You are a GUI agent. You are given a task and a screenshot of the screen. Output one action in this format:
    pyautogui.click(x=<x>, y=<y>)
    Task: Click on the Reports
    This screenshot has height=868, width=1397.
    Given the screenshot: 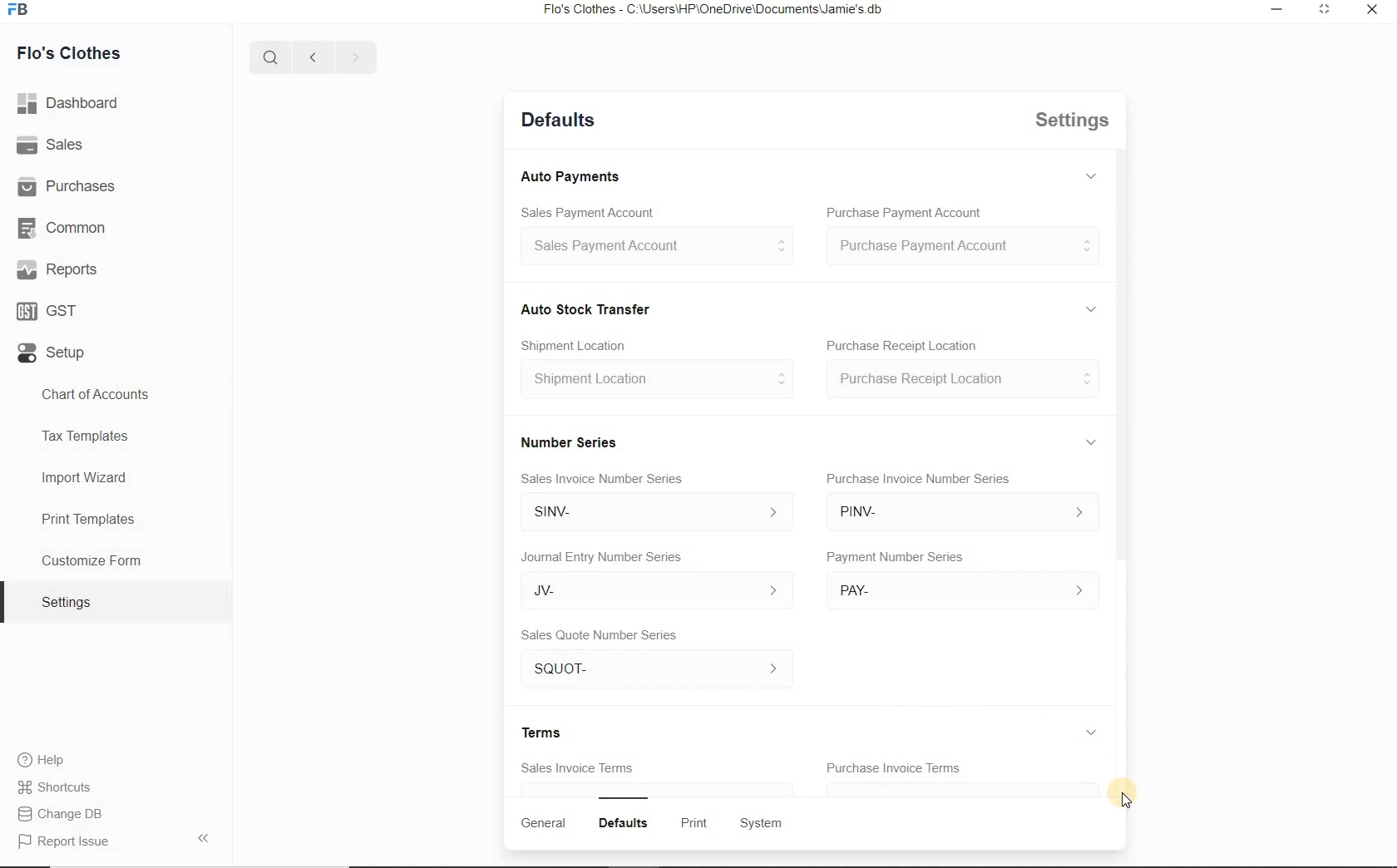 What is the action you would take?
    pyautogui.click(x=56, y=269)
    